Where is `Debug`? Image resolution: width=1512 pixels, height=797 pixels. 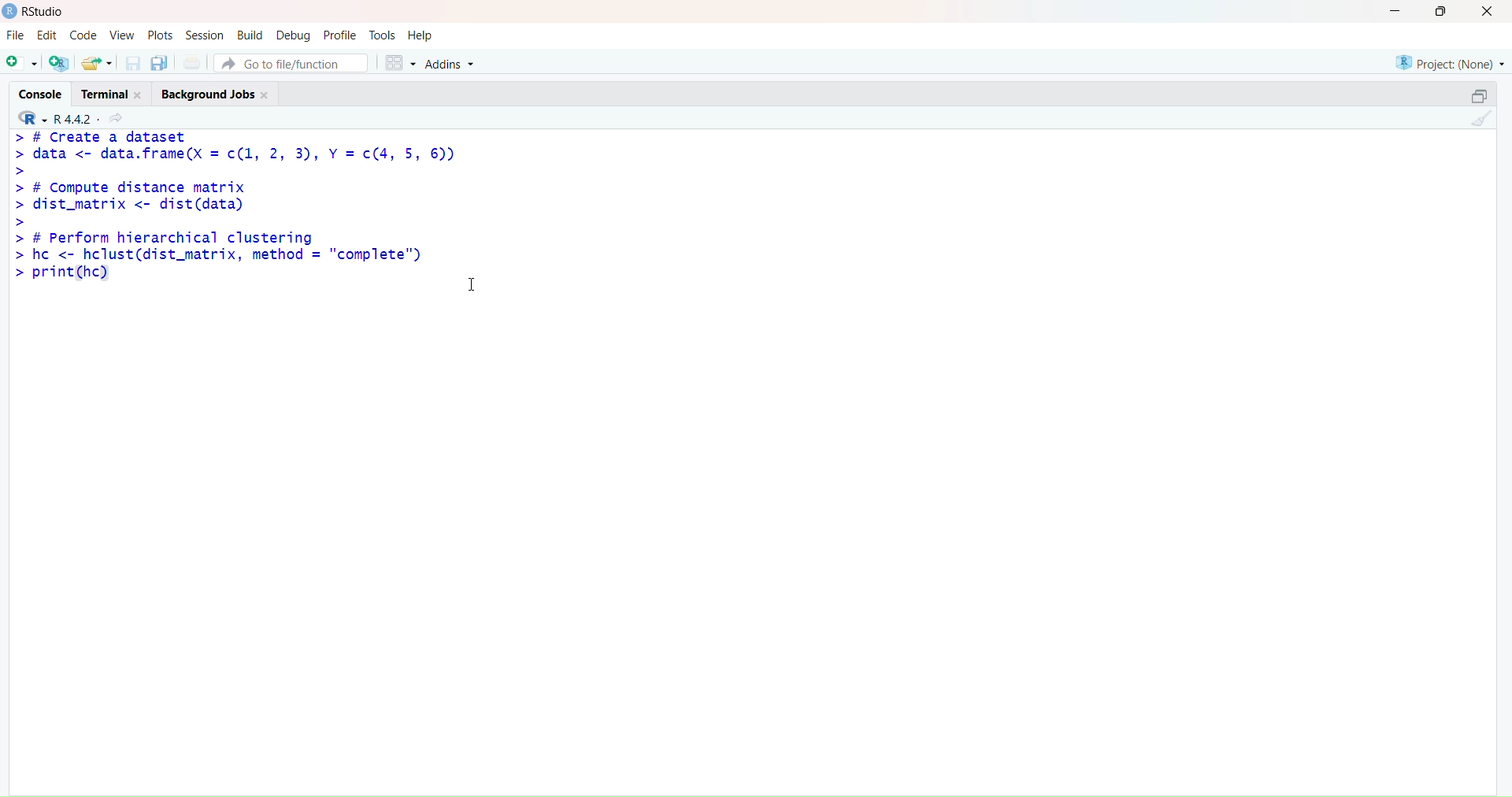 Debug is located at coordinates (292, 35).